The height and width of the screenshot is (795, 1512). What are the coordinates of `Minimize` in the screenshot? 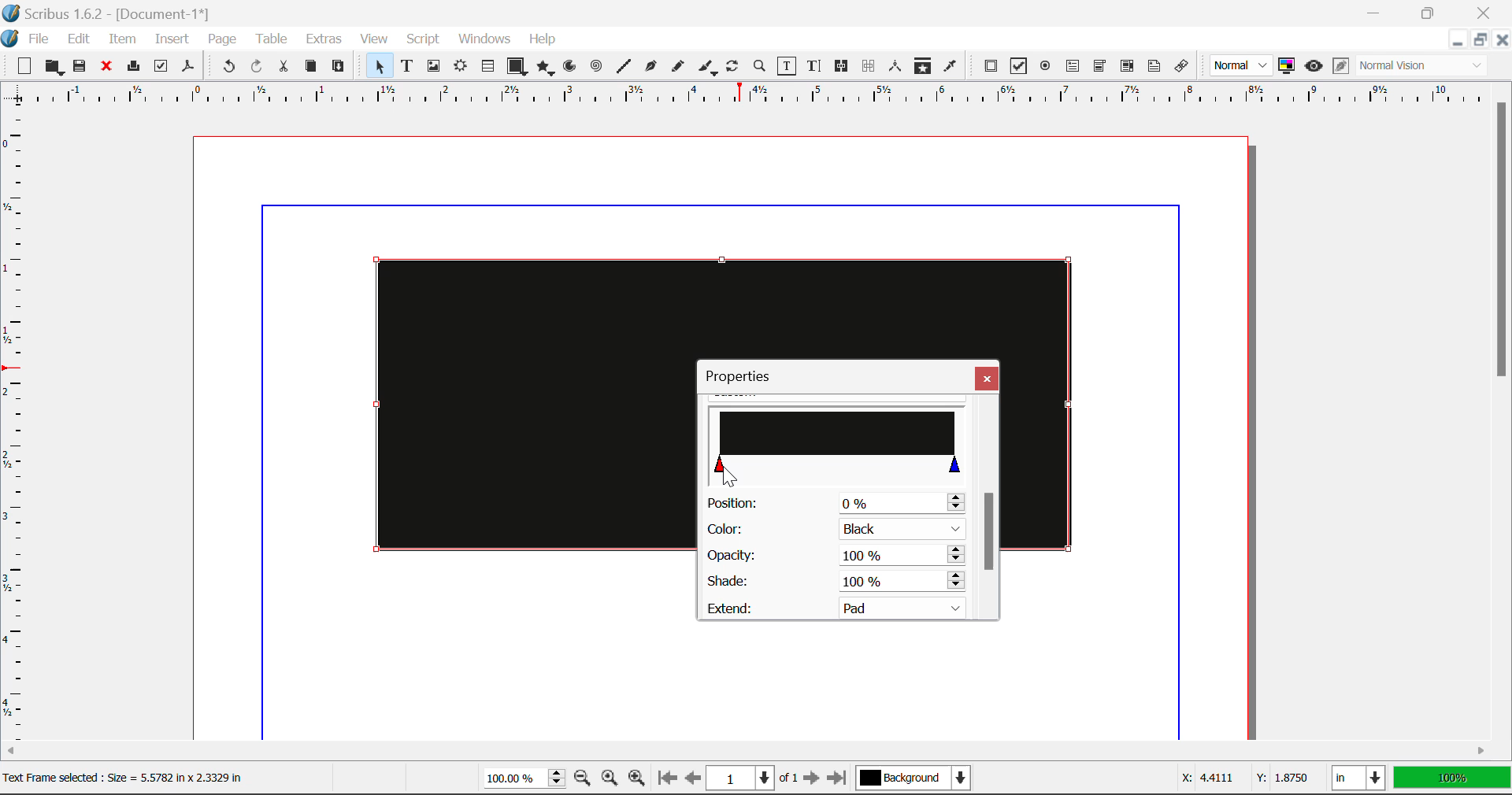 It's located at (1478, 39).